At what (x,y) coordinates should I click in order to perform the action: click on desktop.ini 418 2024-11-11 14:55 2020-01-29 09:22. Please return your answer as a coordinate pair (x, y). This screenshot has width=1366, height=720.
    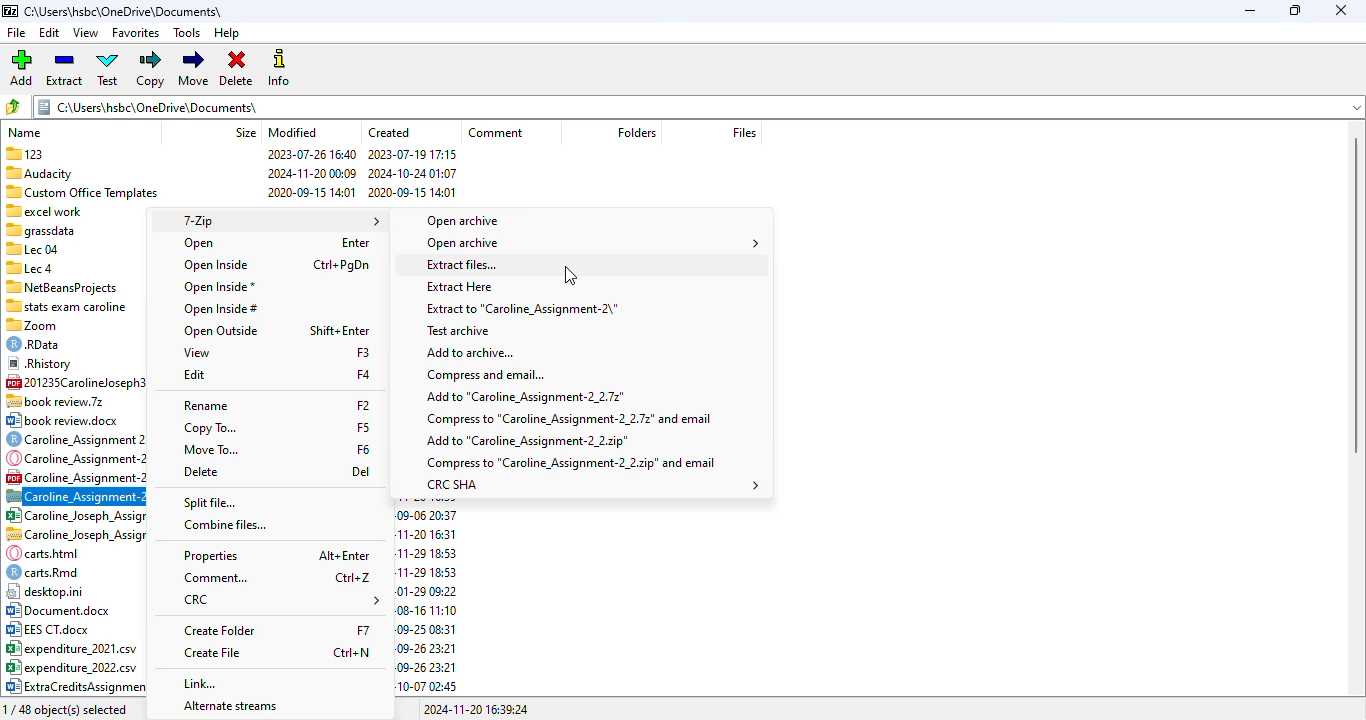
    Looking at the image, I should click on (70, 591).